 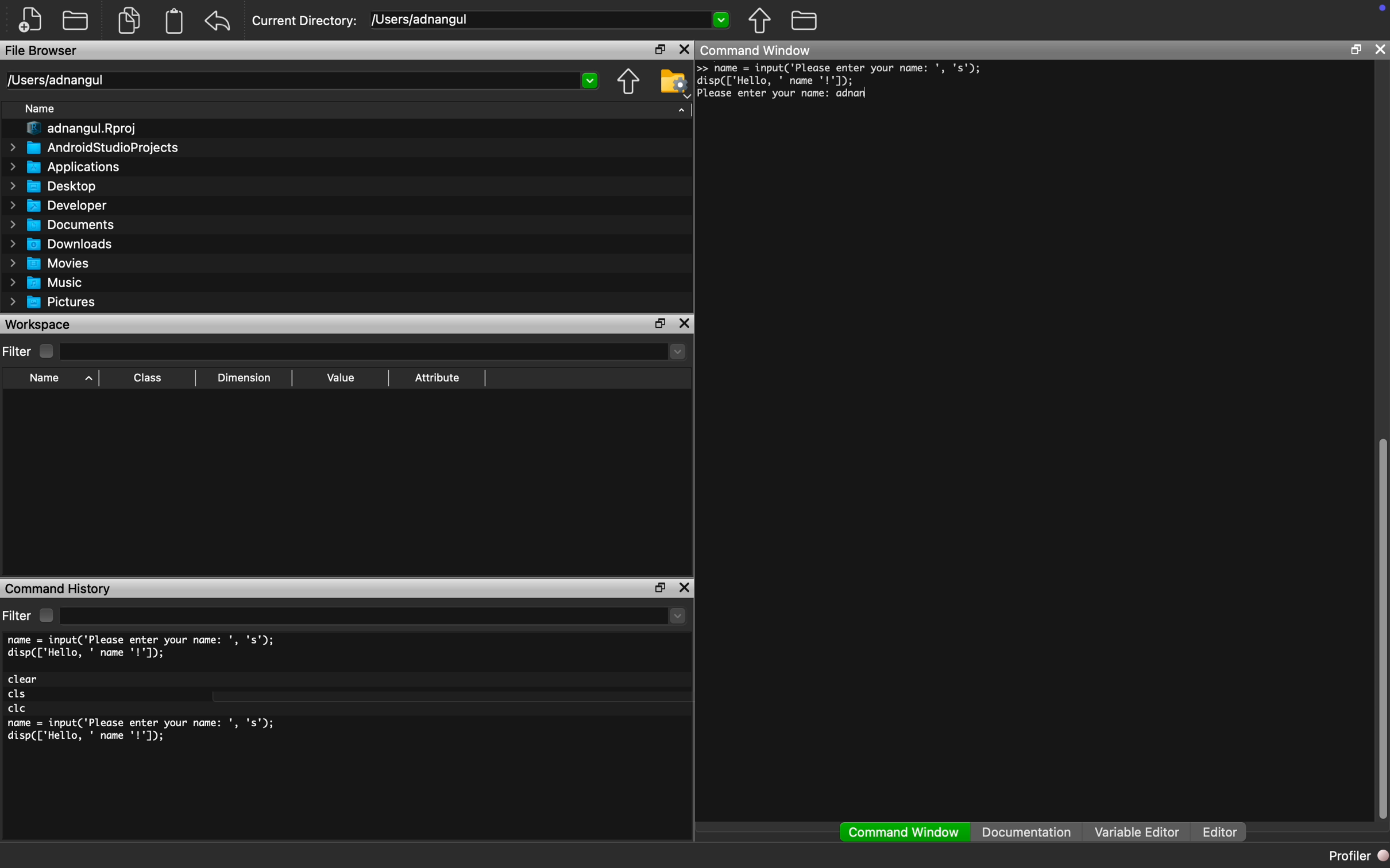 I want to click on Dimension, so click(x=244, y=378).